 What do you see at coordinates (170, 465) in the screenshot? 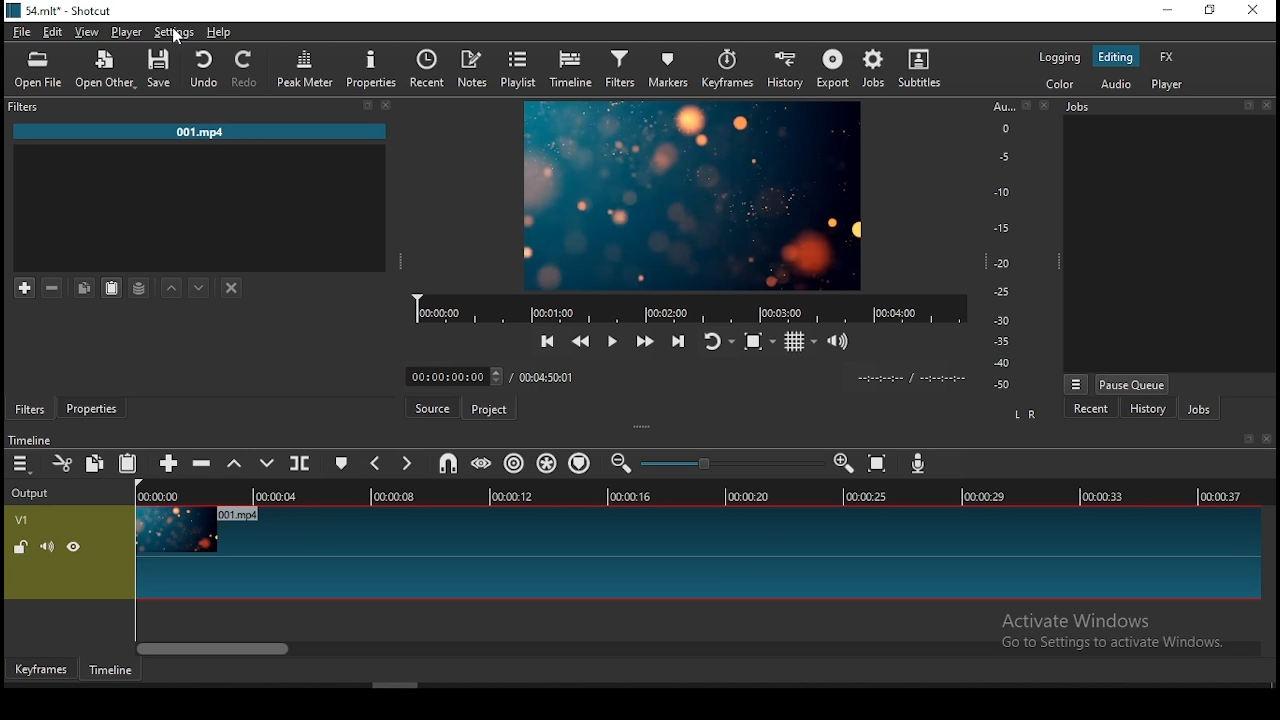
I see `append` at bounding box center [170, 465].